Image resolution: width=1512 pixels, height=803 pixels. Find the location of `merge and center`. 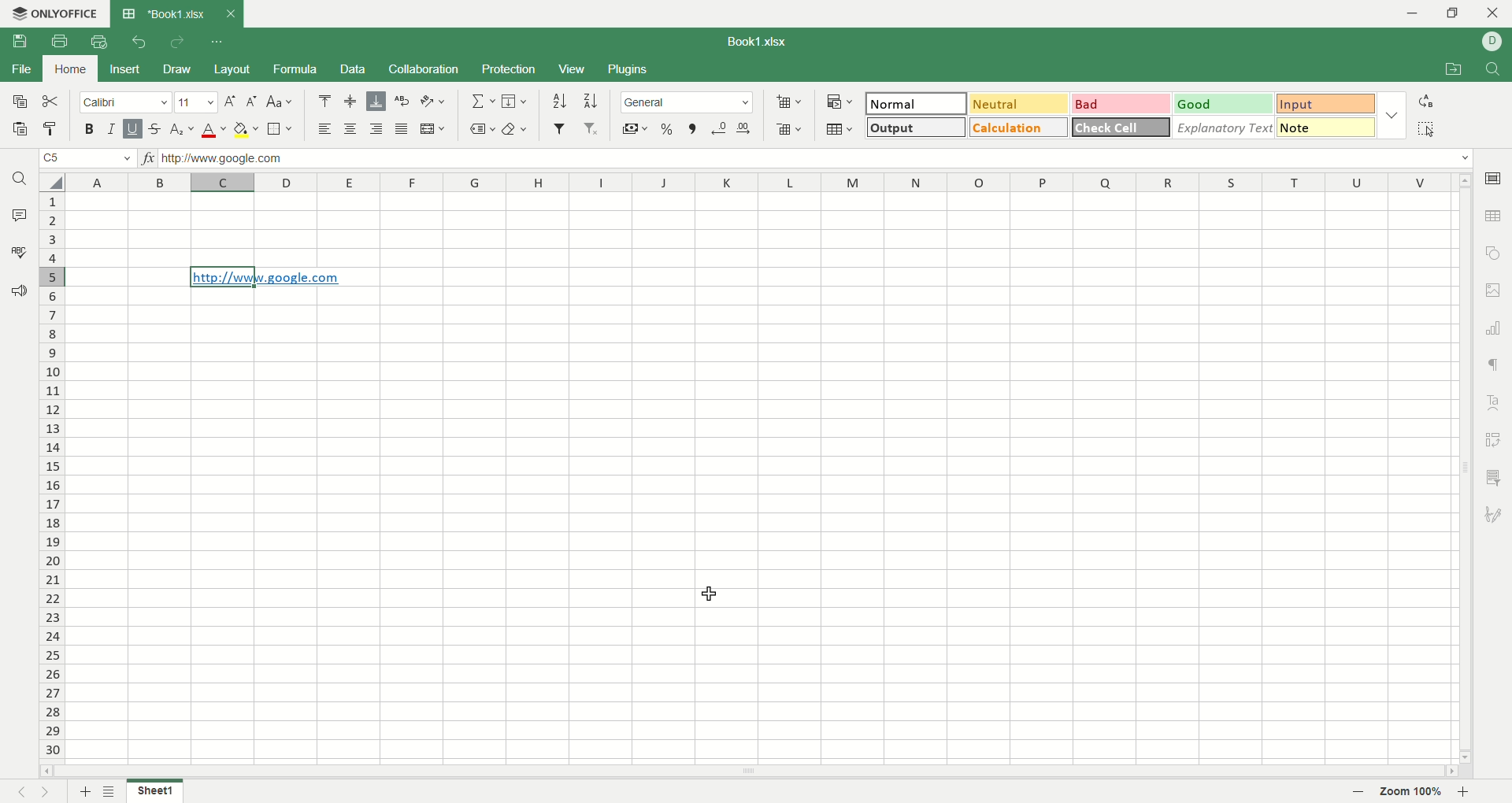

merge and center is located at coordinates (434, 128).